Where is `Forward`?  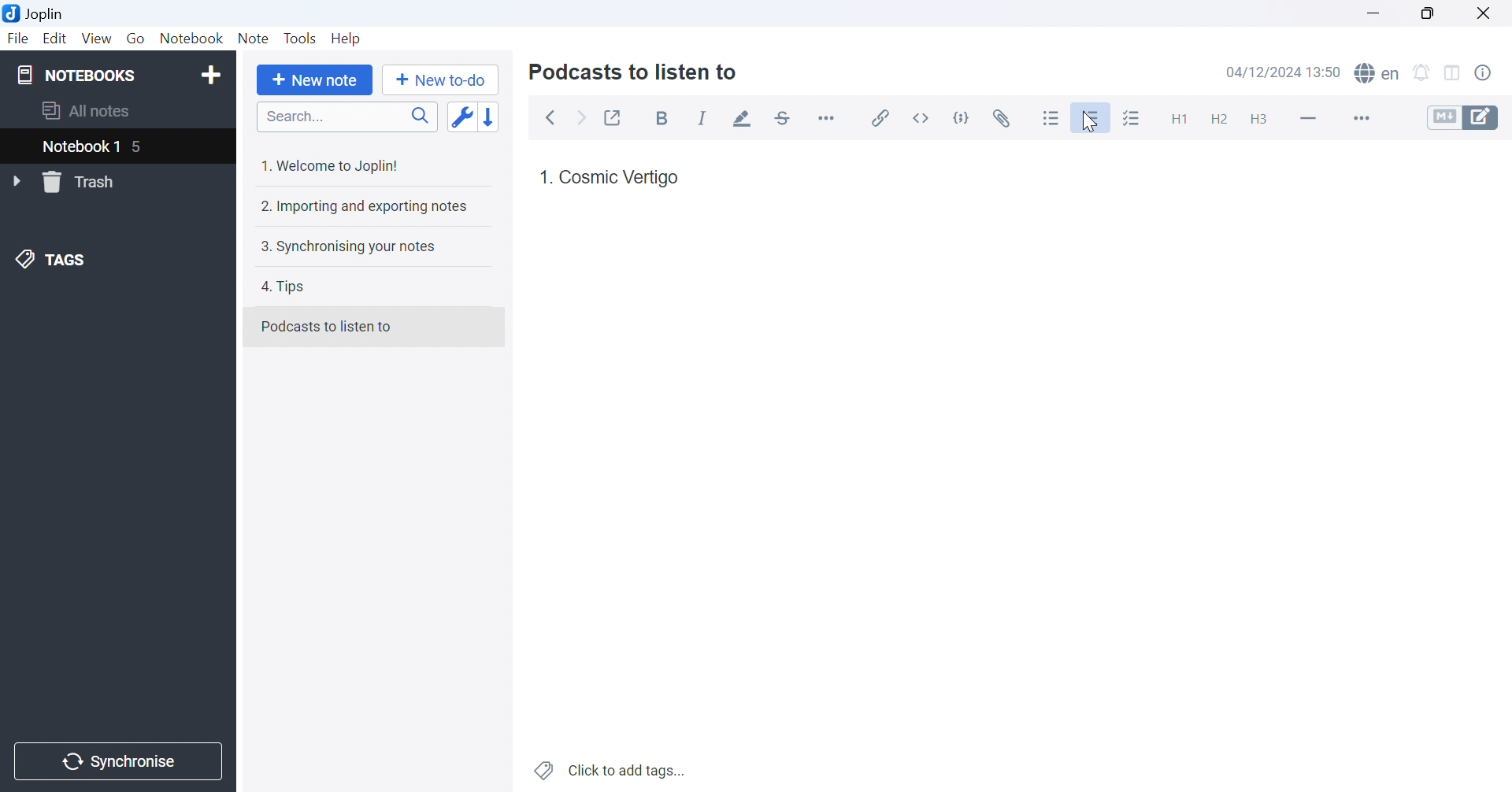 Forward is located at coordinates (584, 120).